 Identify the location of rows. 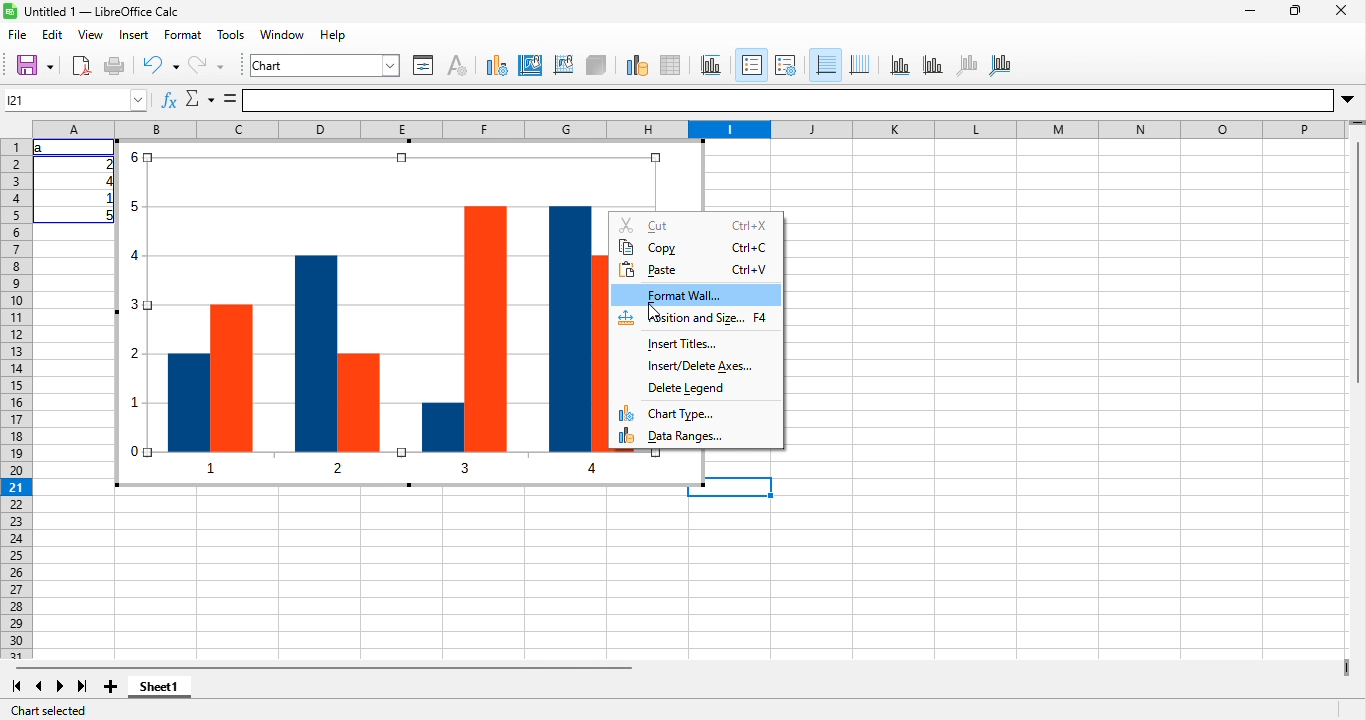
(17, 399).